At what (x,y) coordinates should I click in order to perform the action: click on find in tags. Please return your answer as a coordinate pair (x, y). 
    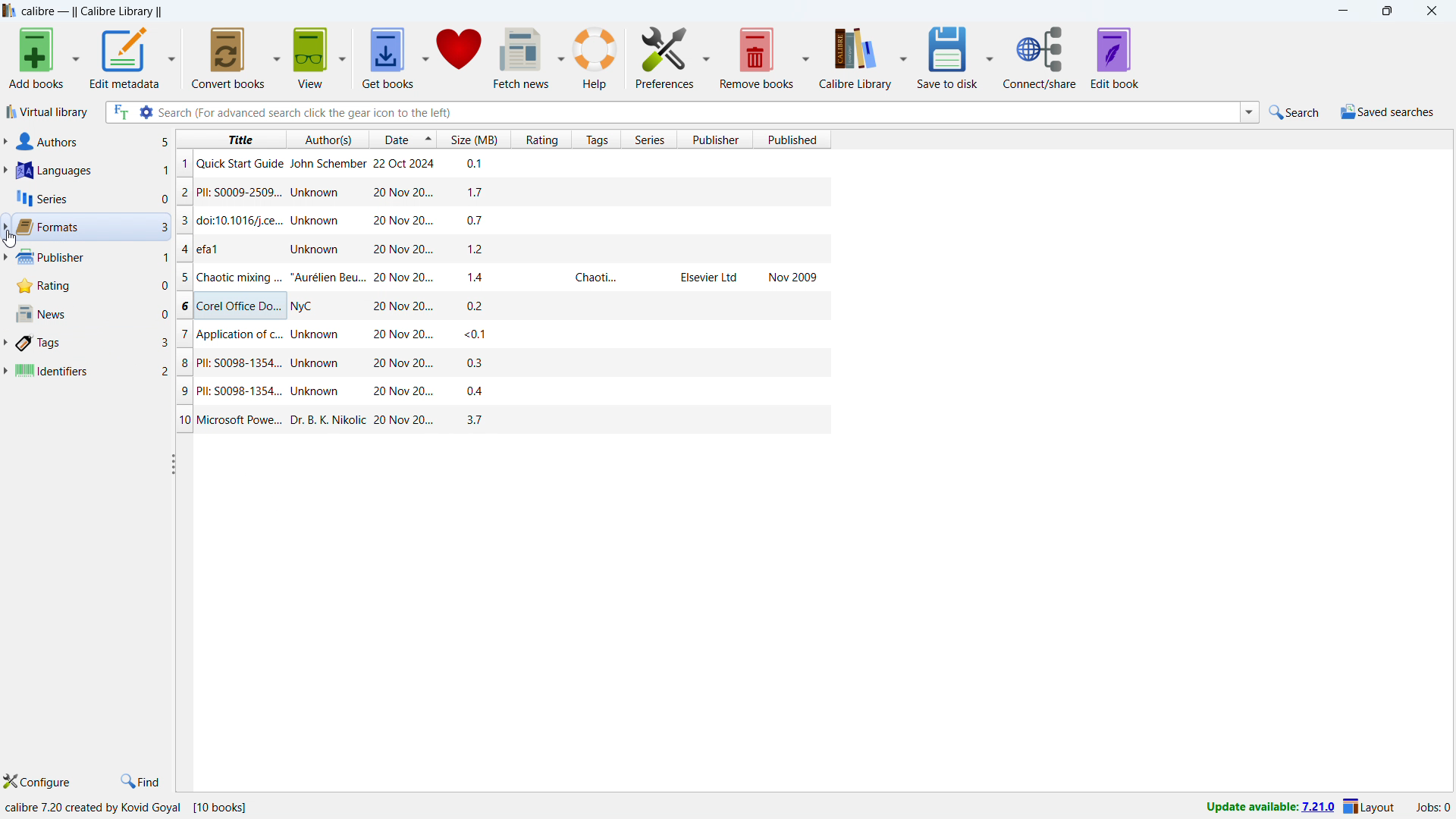
    Looking at the image, I should click on (141, 780).